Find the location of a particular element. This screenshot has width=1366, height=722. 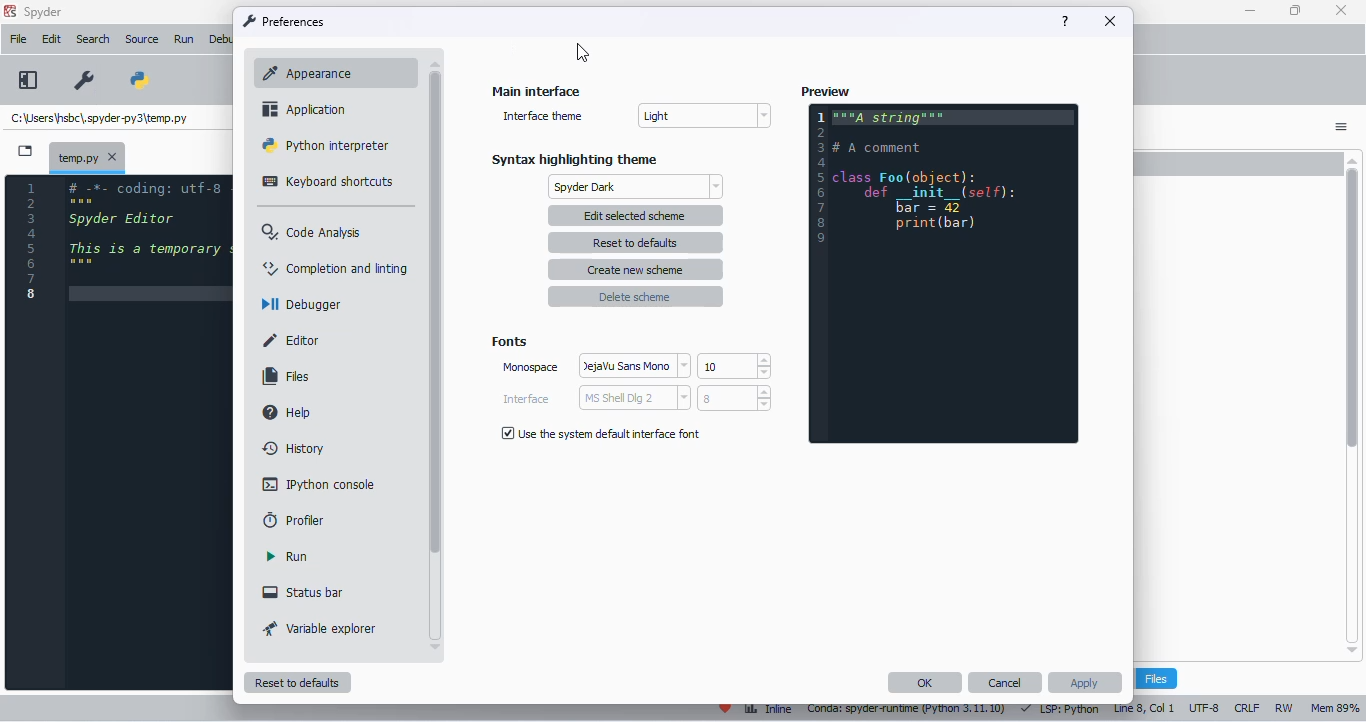

status bar is located at coordinates (304, 593).